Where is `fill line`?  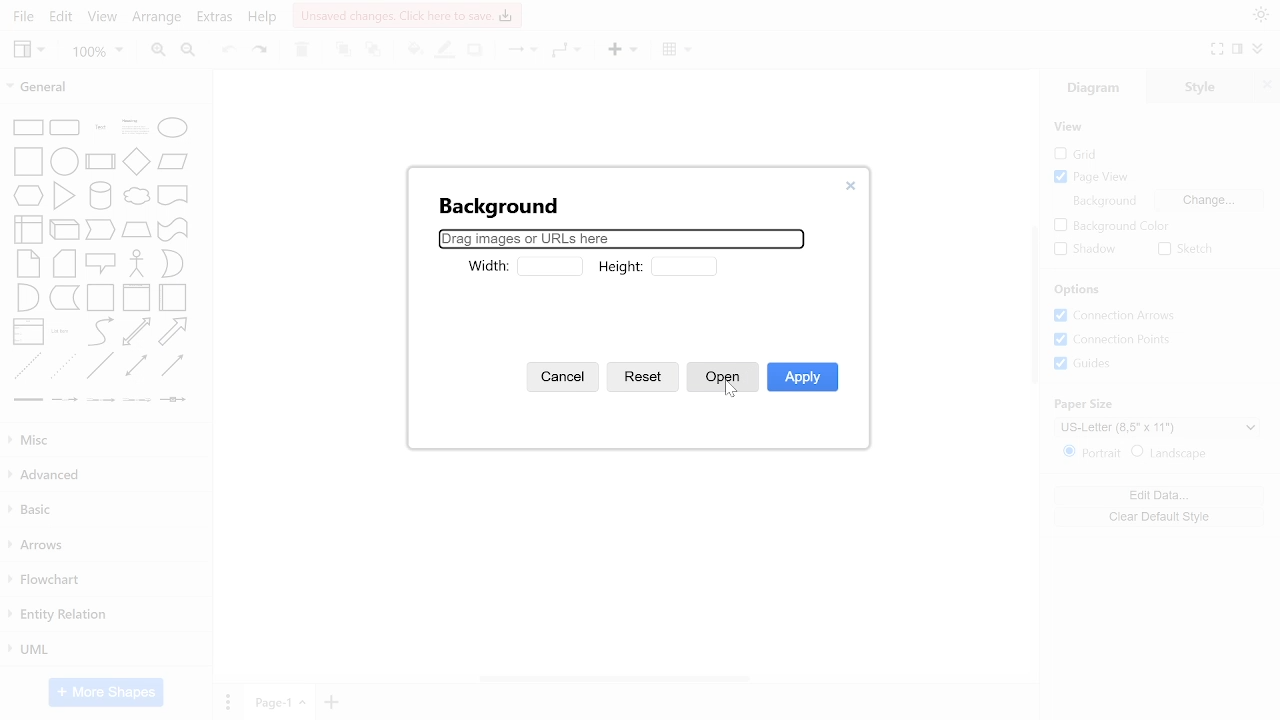
fill line is located at coordinates (446, 51).